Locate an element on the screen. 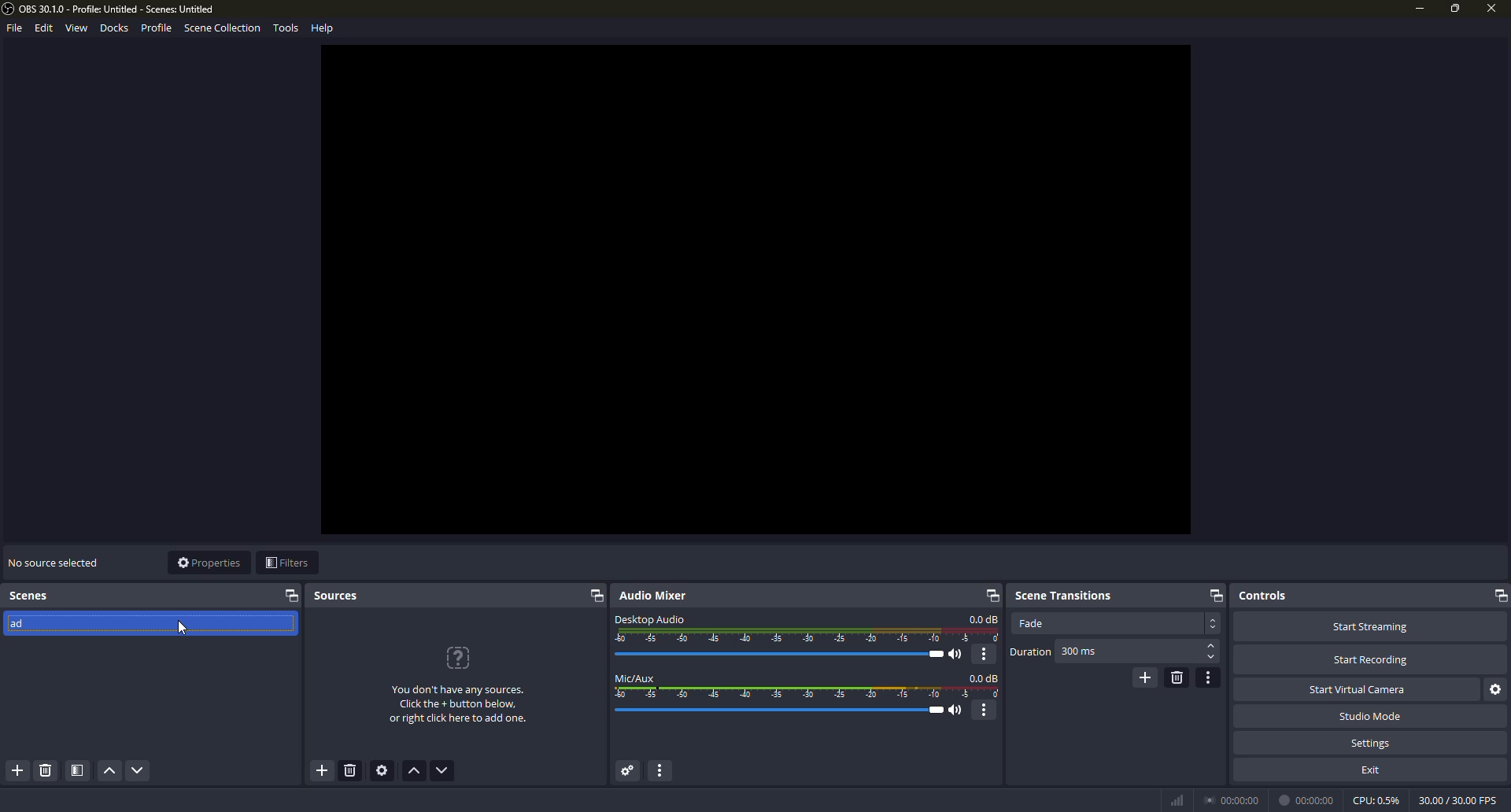 The image size is (1511, 812). open scene filters is located at coordinates (78, 771).